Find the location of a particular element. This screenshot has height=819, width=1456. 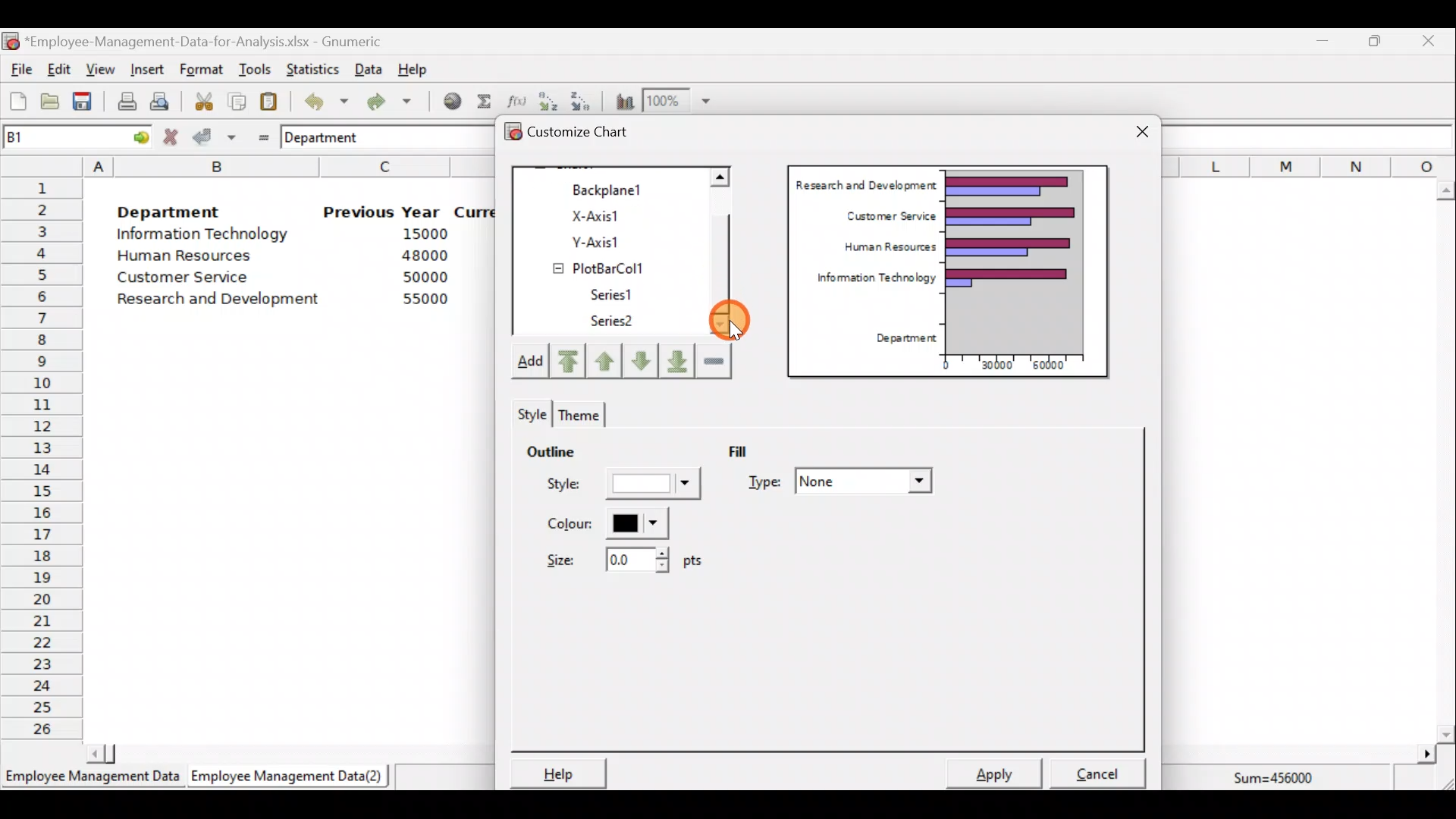

Y-axis1 is located at coordinates (615, 240).